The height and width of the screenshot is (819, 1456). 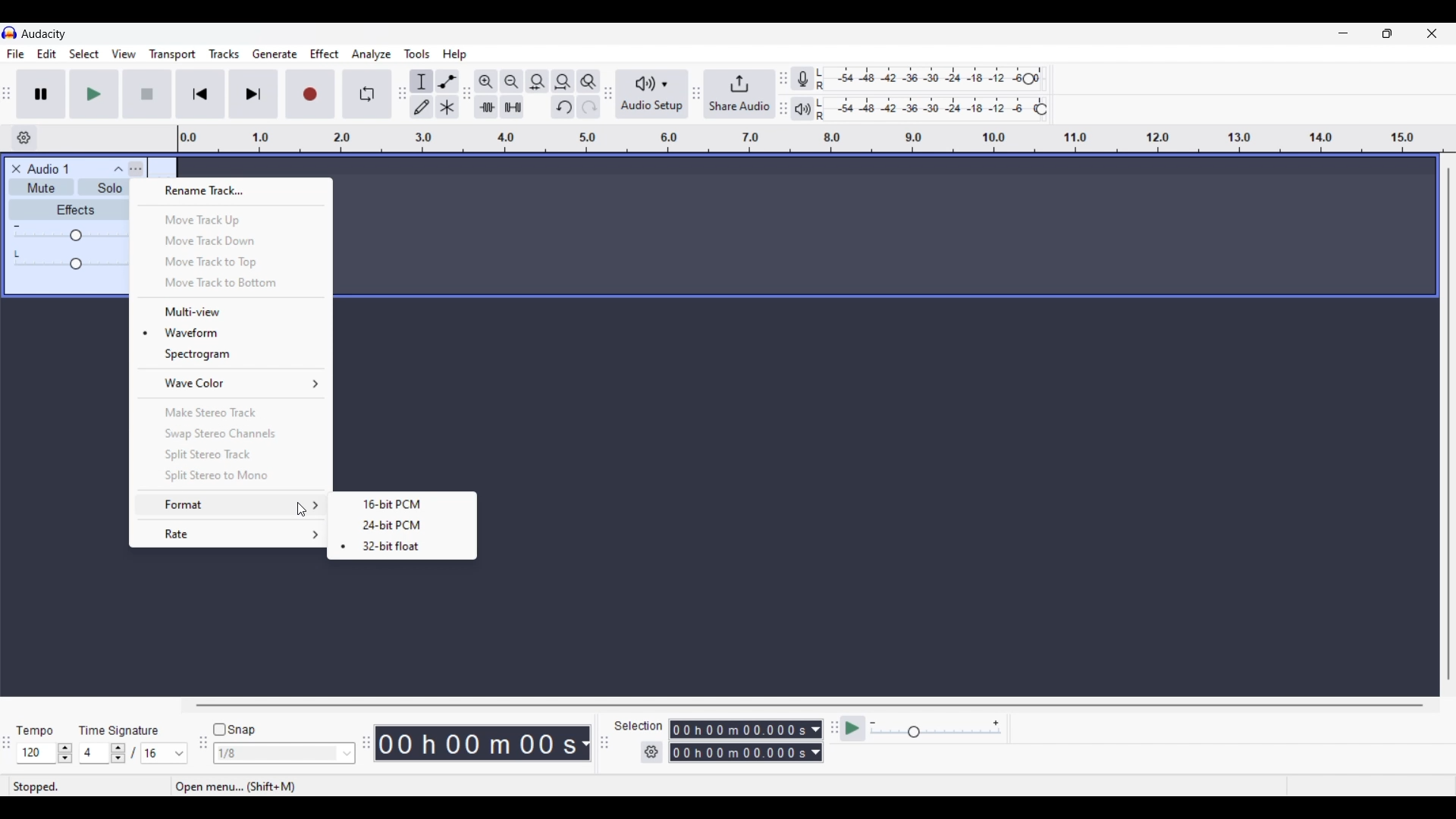 What do you see at coordinates (588, 106) in the screenshot?
I see `Redo` at bounding box center [588, 106].